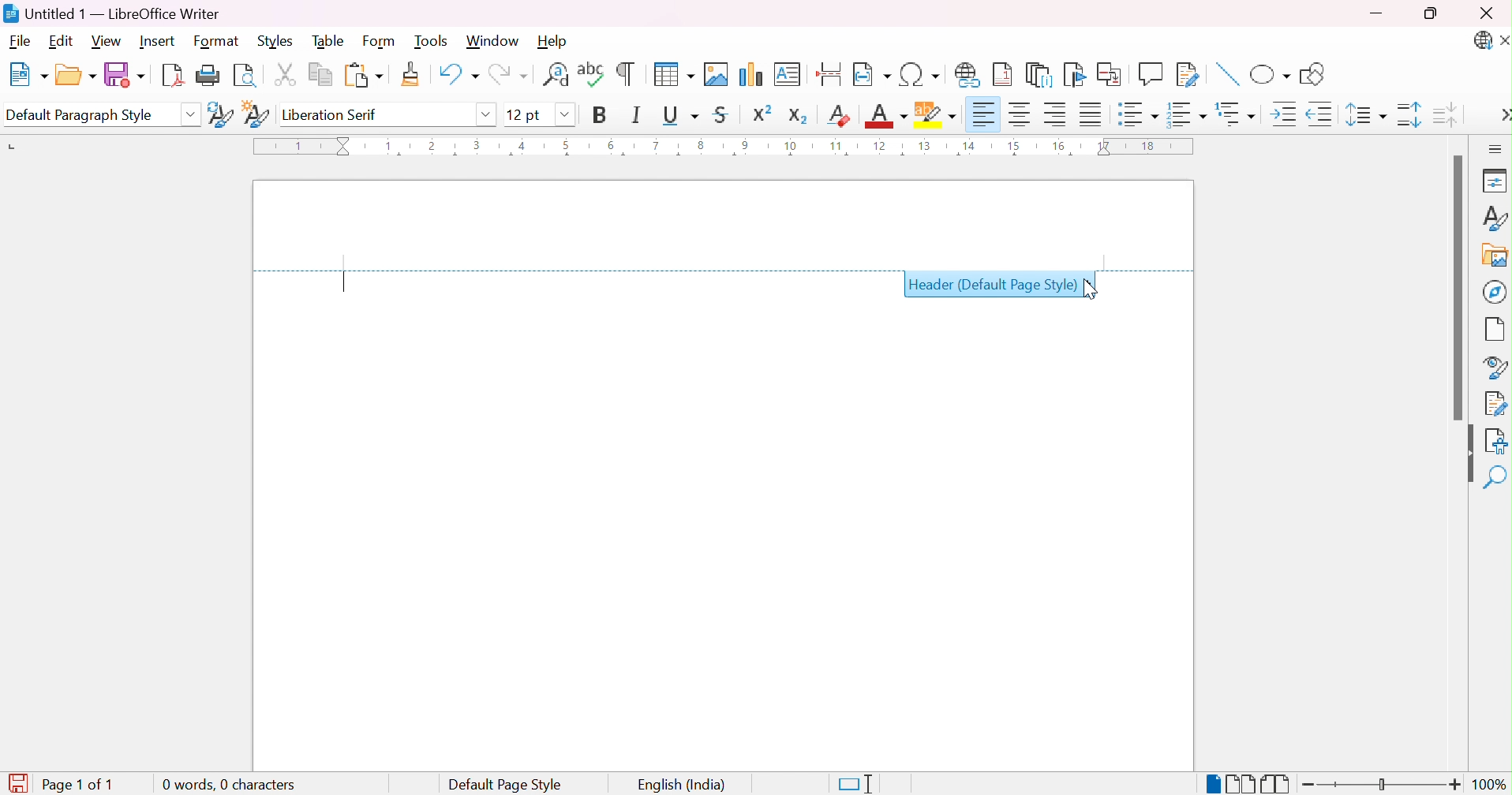 The width and height of the screenshot is (1512, 795). Describe the element at coordinates (853, 785) in the screenshot. I see `Standard selection. Click to change selection mode.` at that location.